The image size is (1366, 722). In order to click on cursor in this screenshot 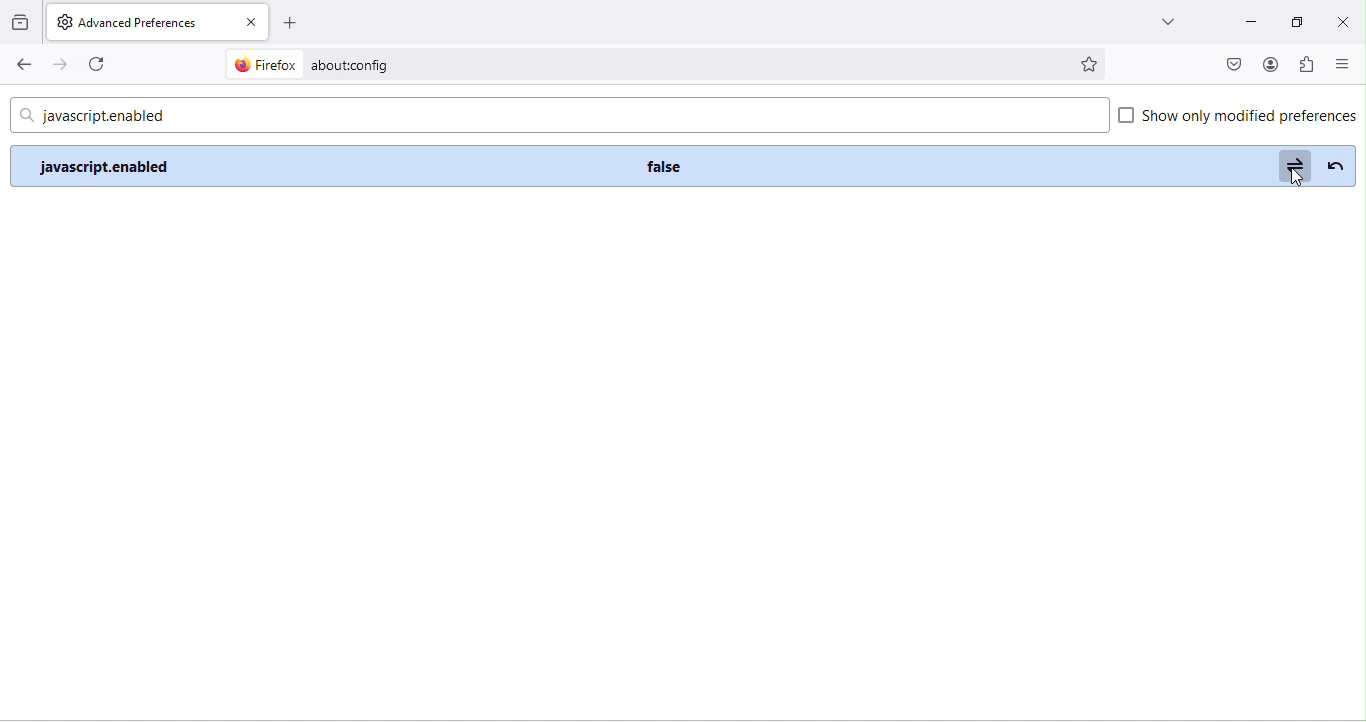, I will do `click(1295, 180)`.